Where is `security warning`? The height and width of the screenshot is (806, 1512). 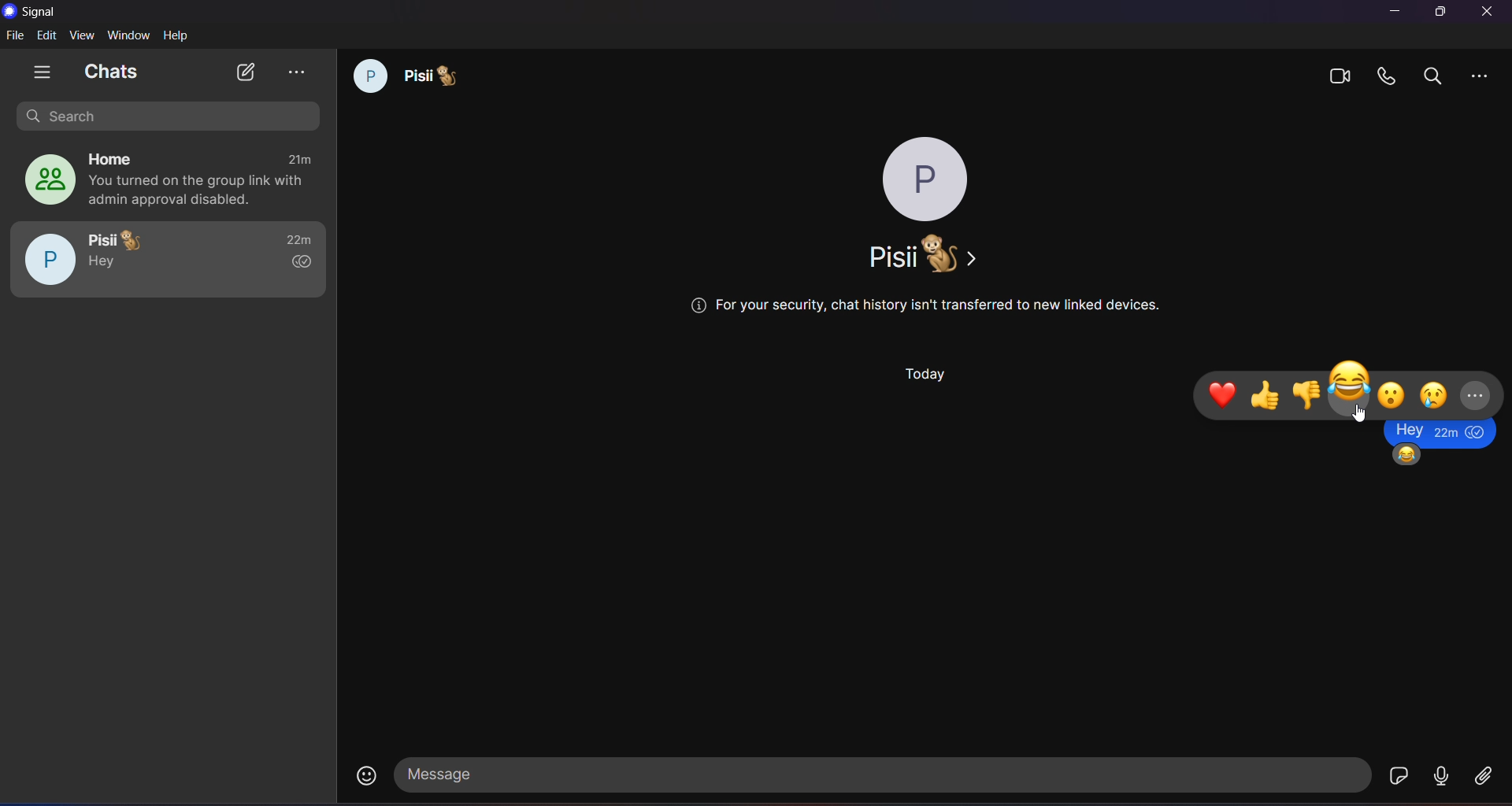 security warning is located at coordinates (923, 310).